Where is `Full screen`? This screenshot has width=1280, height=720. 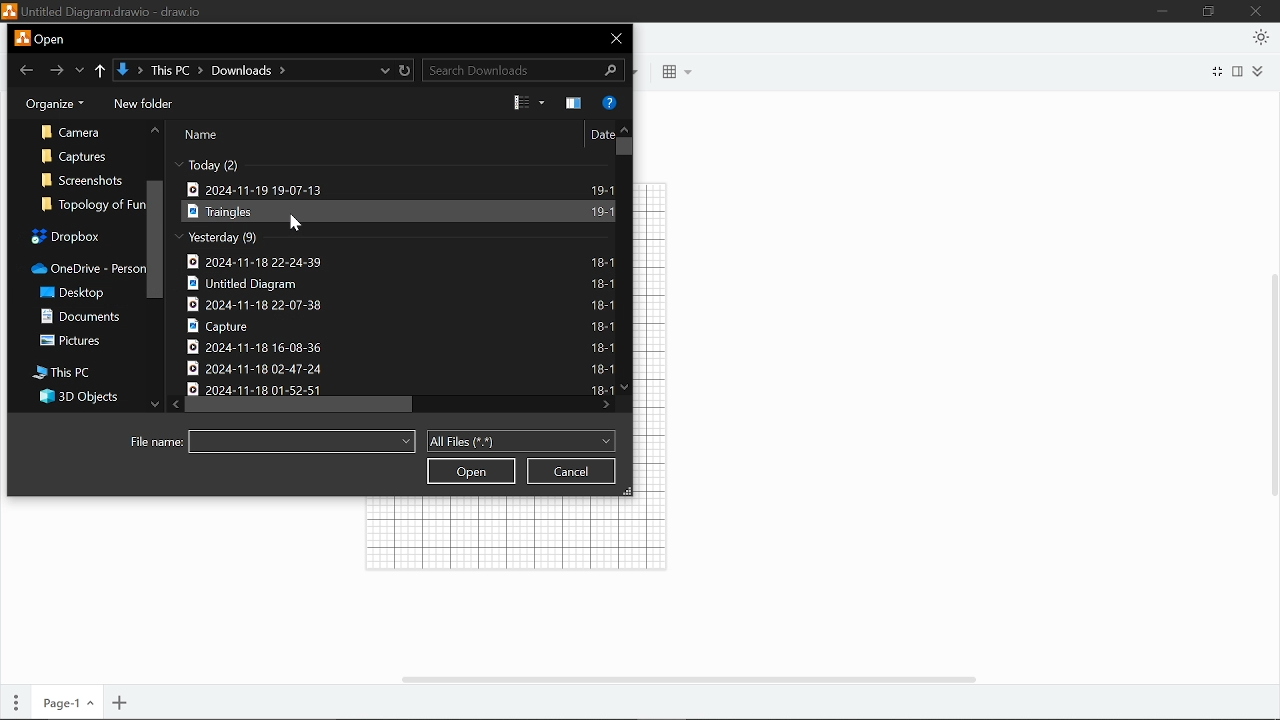 Full screen is located at coordinates (1216, 73).